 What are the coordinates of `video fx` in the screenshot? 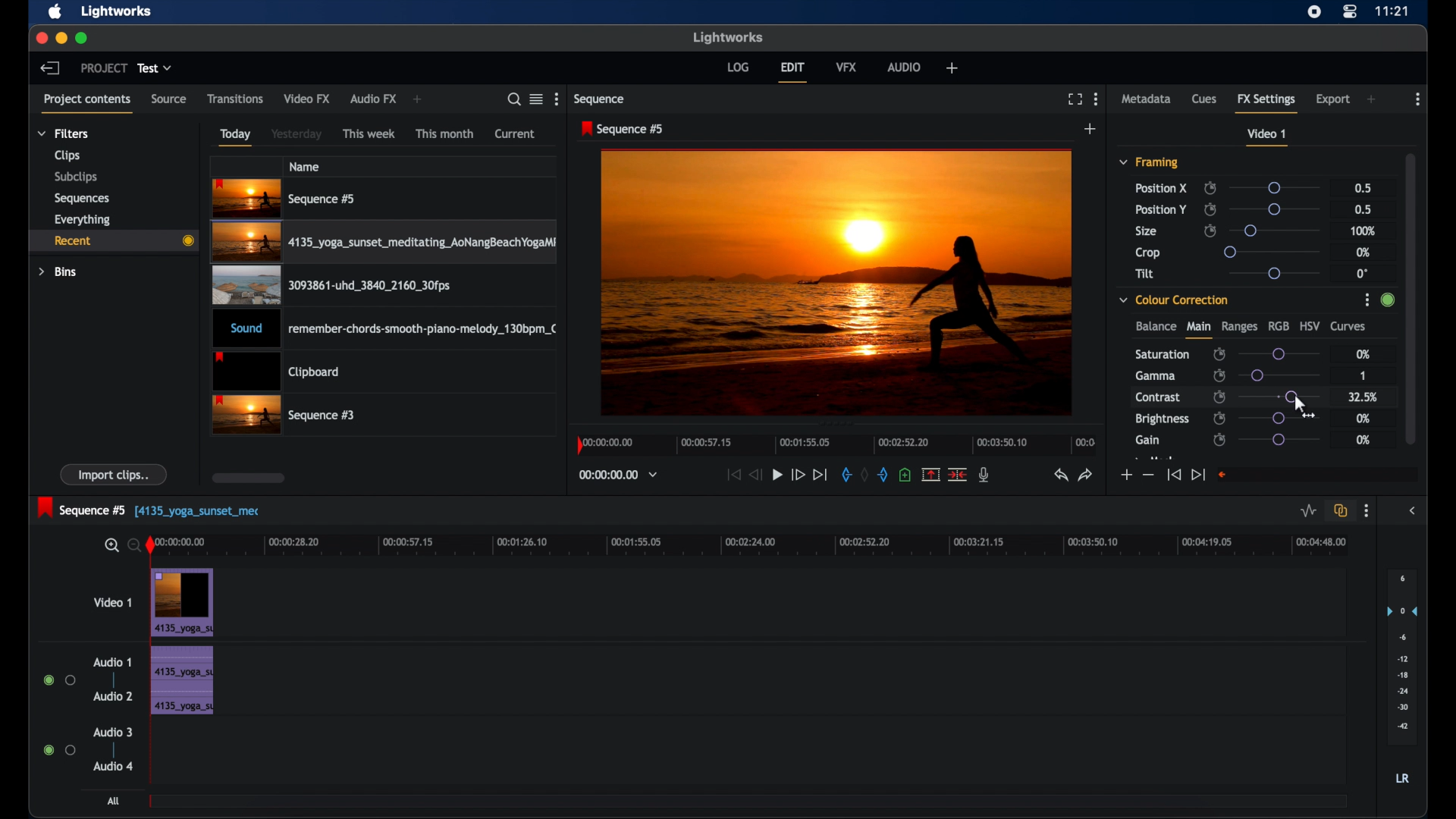 It's located at (306, 99).